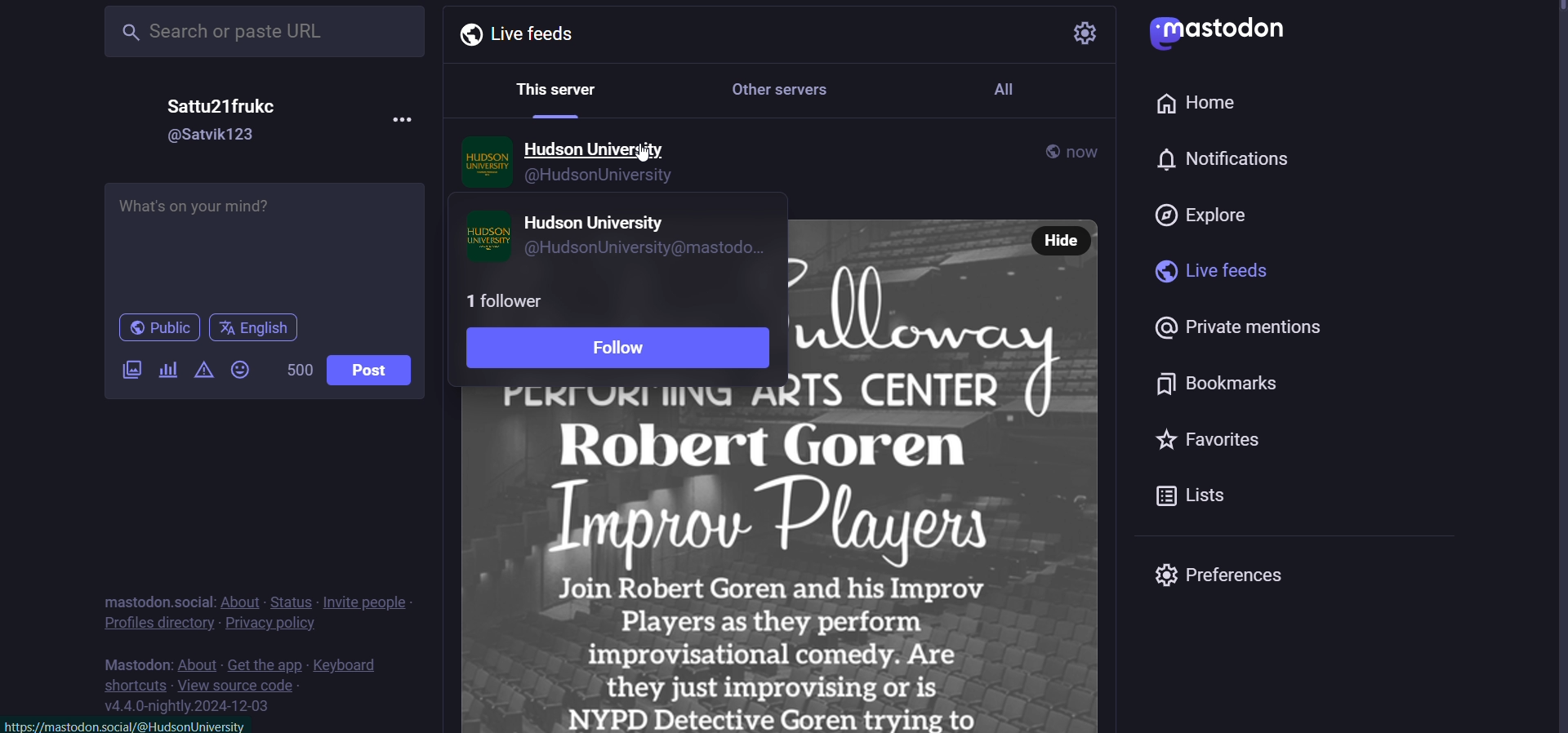  I want to click on favorites, so click(1212, 440).